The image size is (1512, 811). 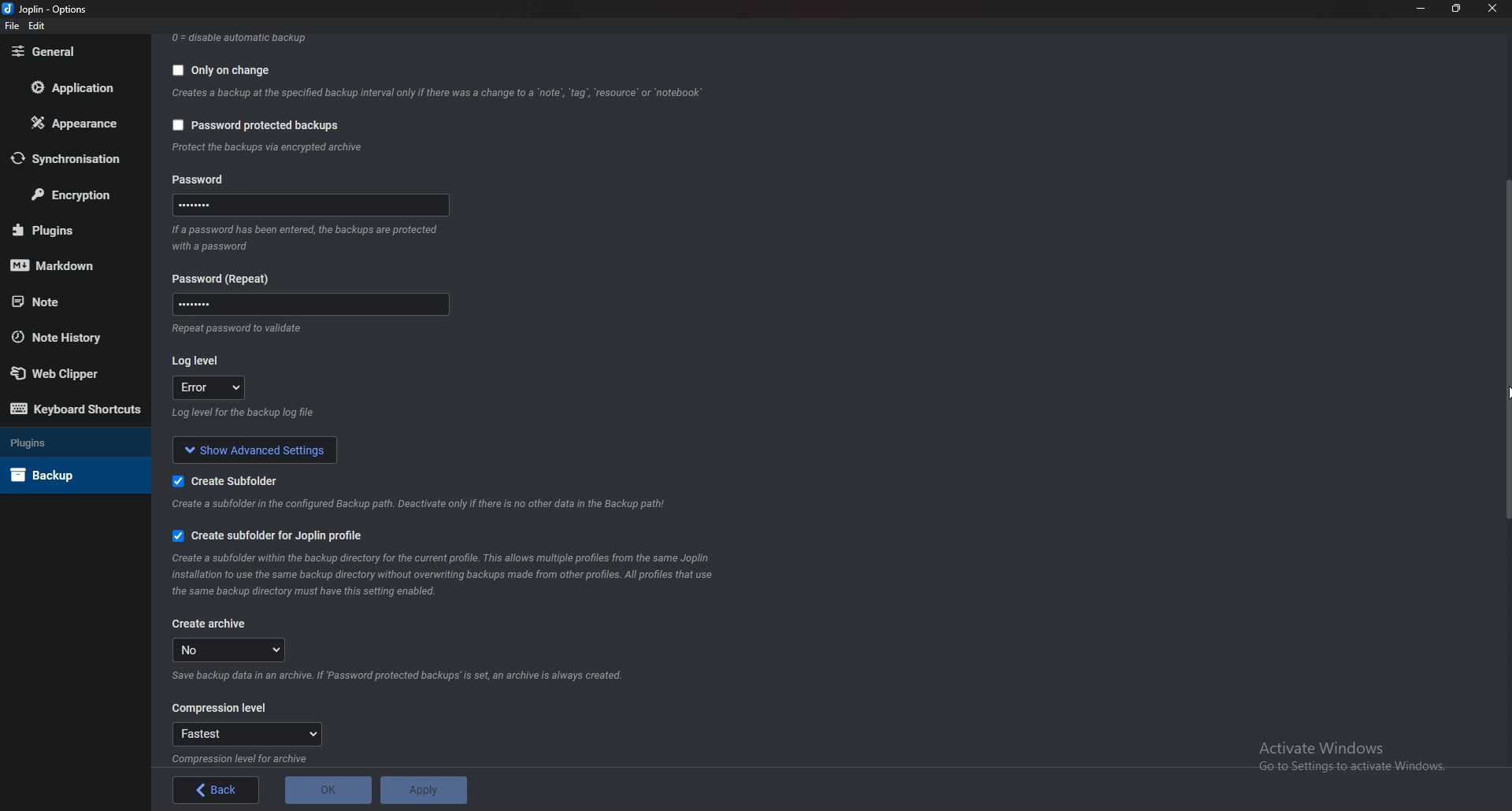 What do you see at coordinates (58, 475) in the screenshot?
I see `Back up` at bounding box center [58, 475].